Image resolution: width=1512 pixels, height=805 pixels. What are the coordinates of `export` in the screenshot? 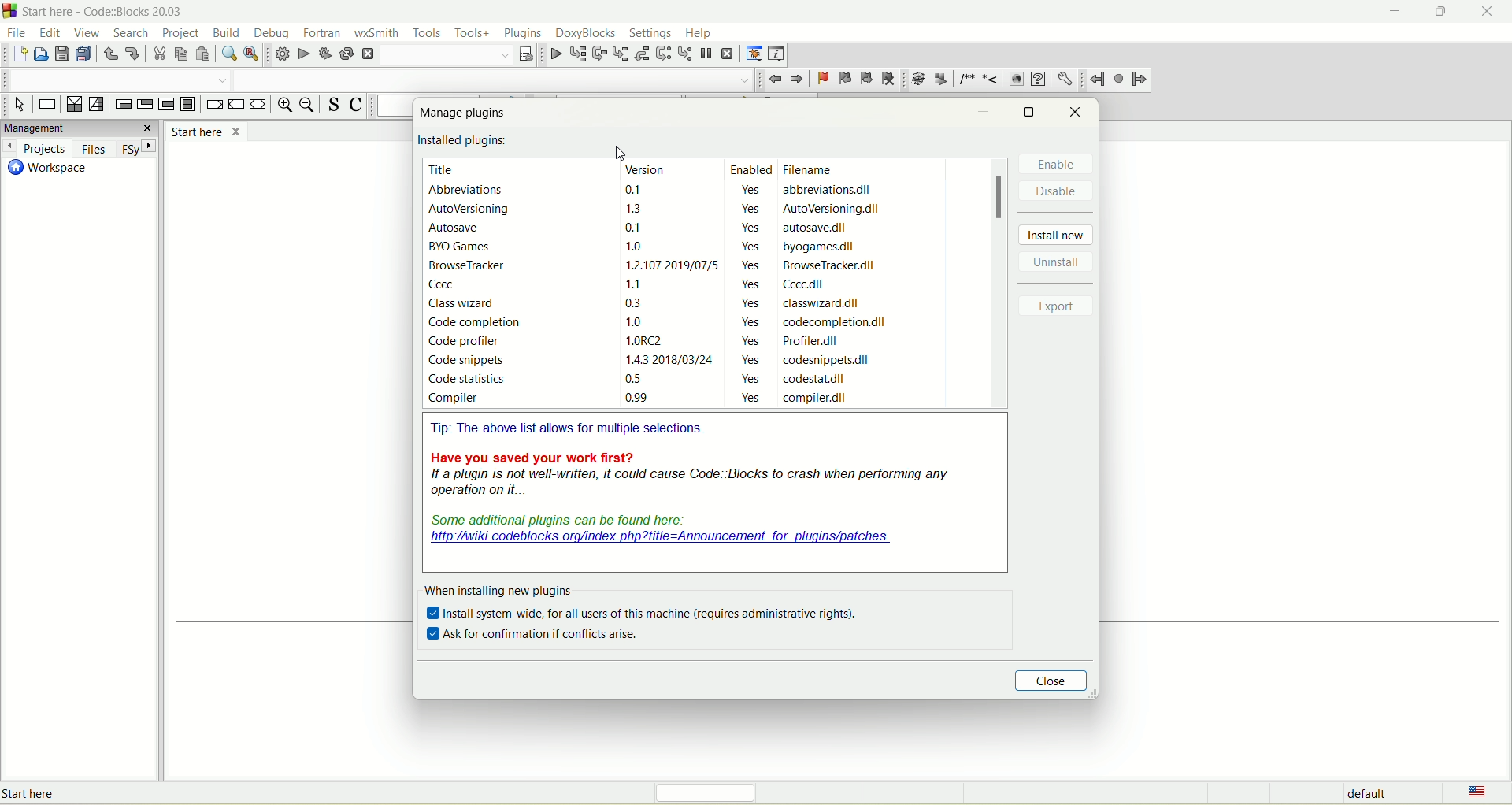 It's located at (1060, 307).